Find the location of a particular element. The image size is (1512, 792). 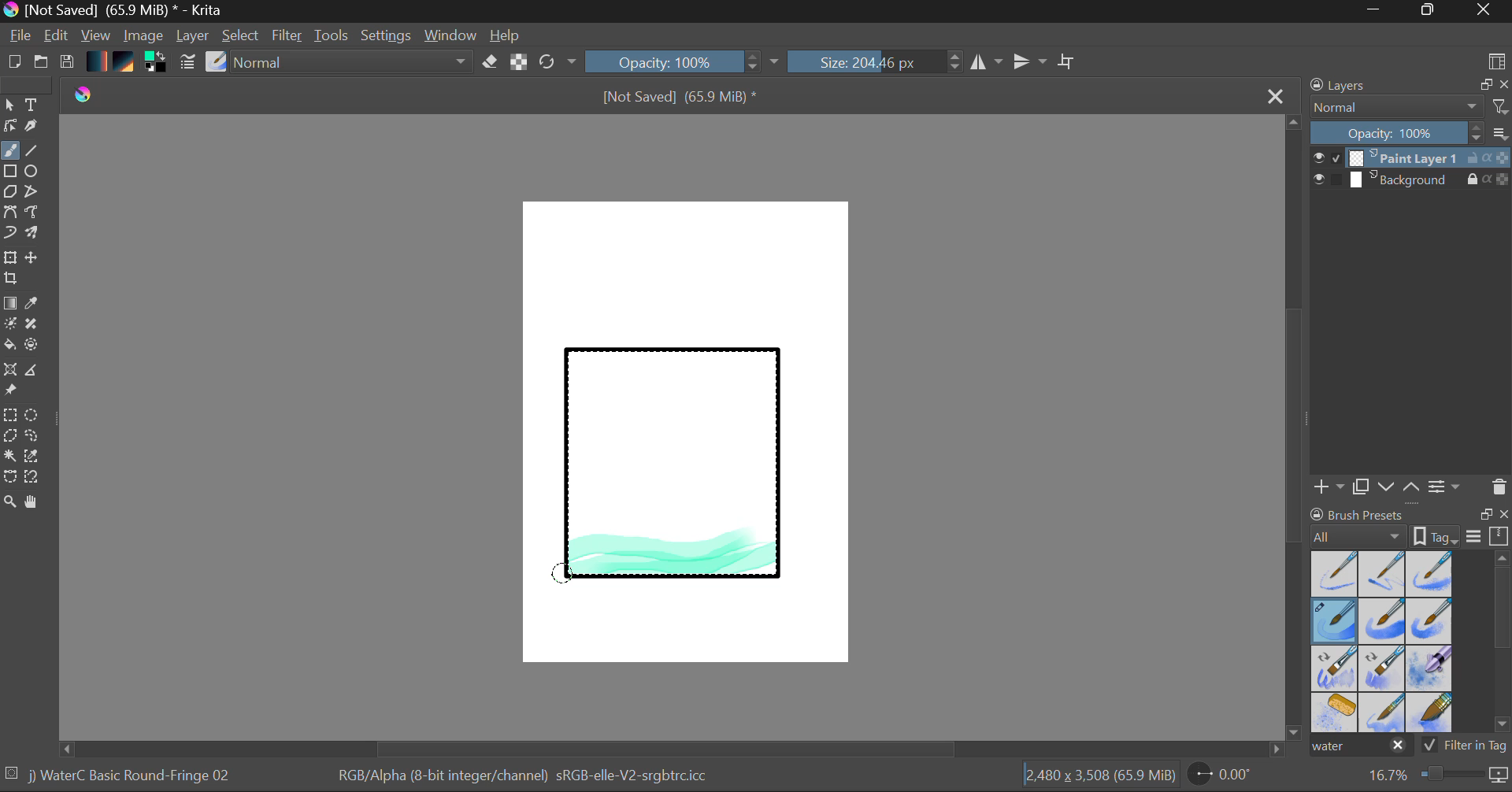

Elipses is located at coordinates (34, 172).